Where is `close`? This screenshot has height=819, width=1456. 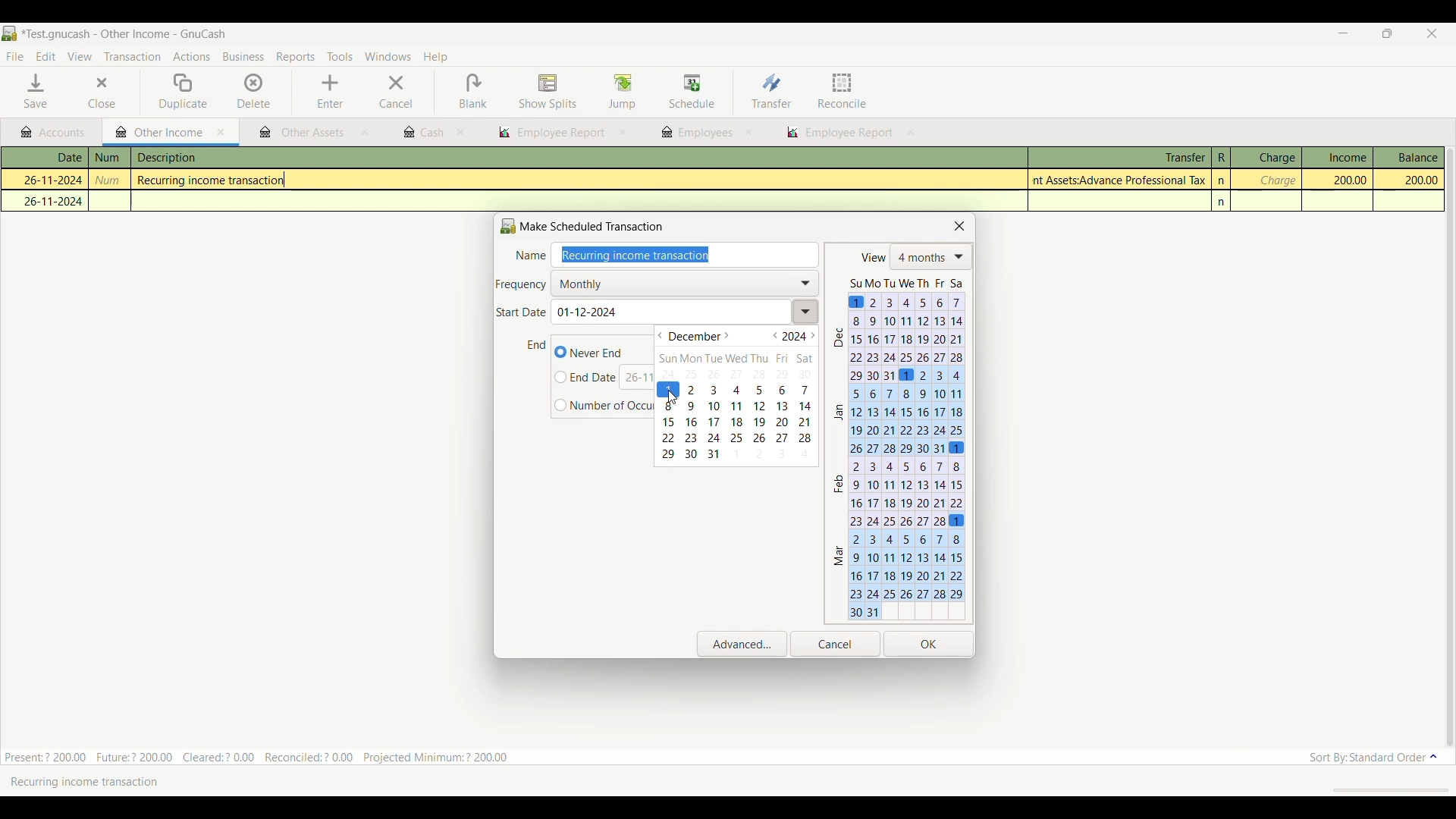 close is located at coordinates (748, 132).